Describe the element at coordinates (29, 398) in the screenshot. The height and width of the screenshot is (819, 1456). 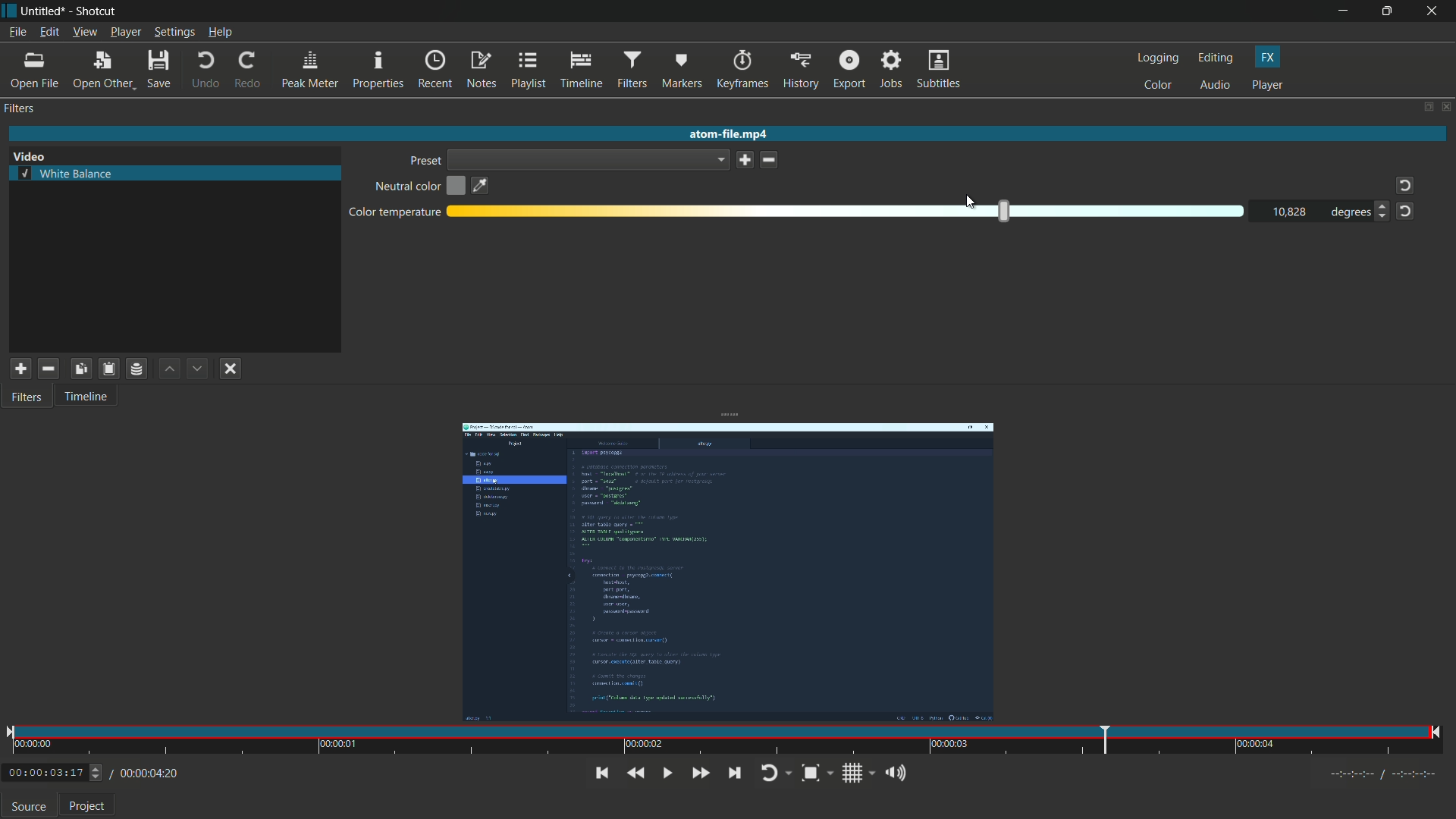
I see `filter tab` at that location.